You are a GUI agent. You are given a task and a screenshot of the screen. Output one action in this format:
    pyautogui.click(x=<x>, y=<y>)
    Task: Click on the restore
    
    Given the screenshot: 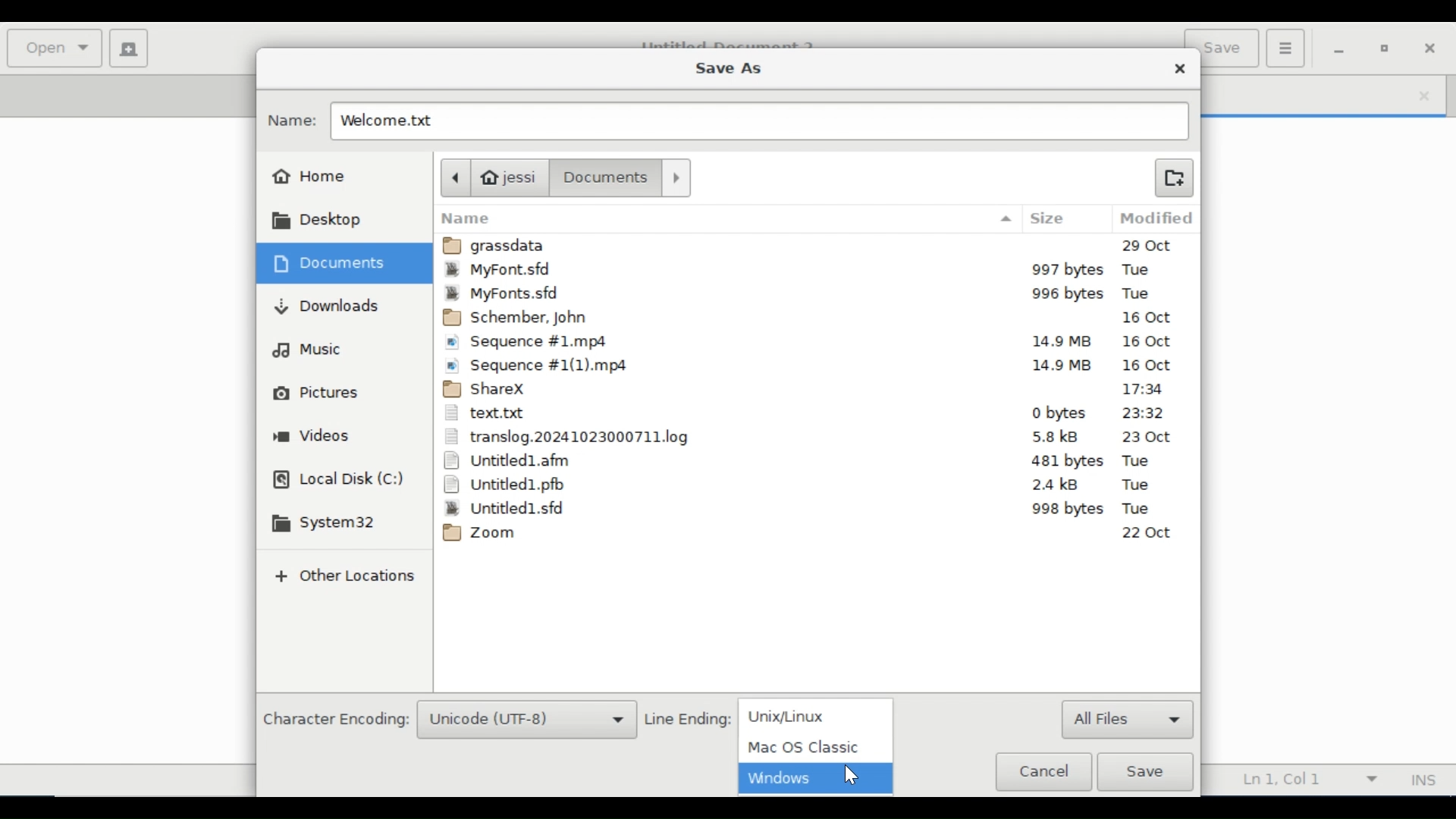 What is the action you would take?
    pyautogui.click(x=1386, y=49)
    